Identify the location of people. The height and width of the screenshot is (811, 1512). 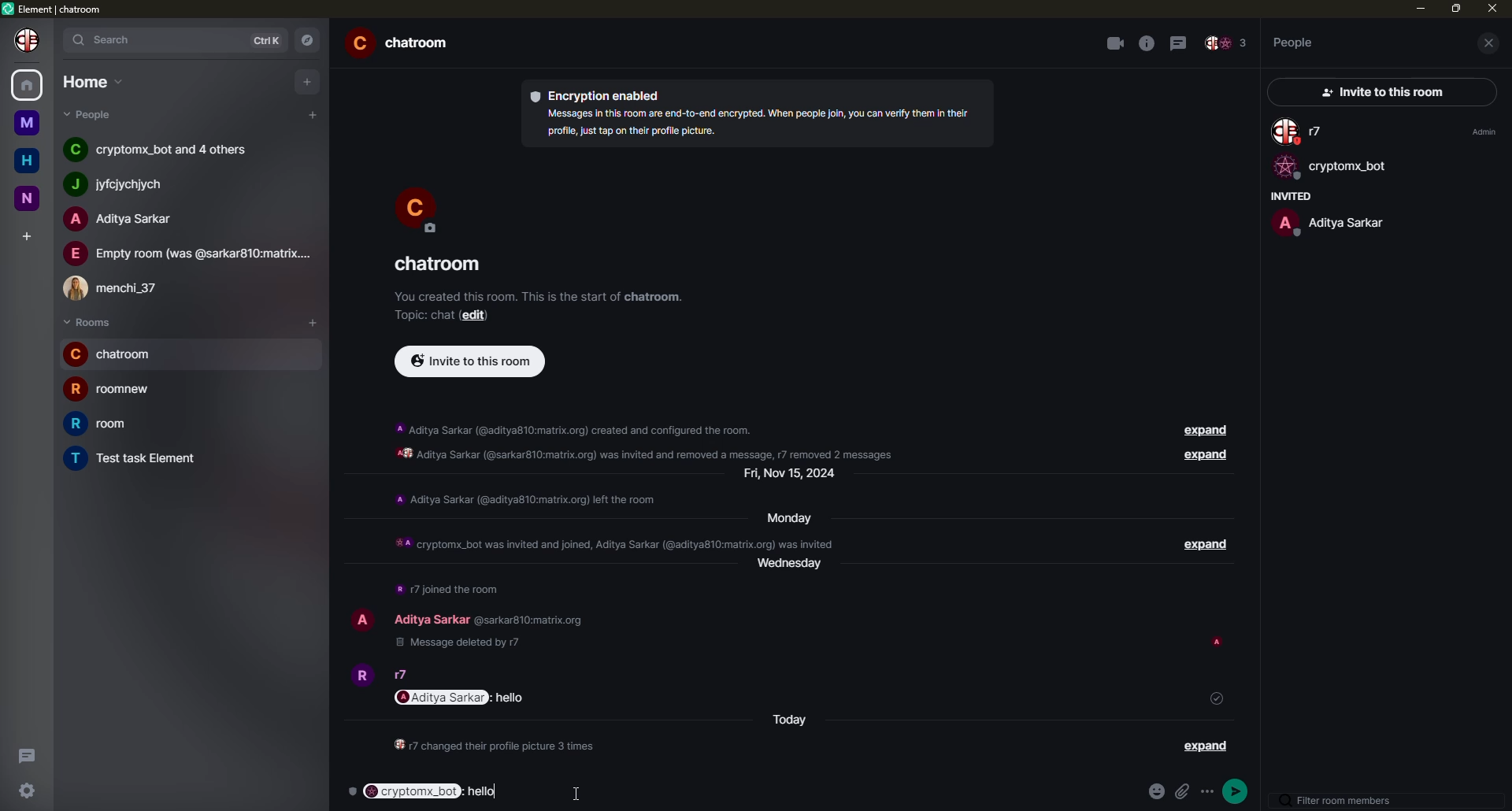
(1329, 222).